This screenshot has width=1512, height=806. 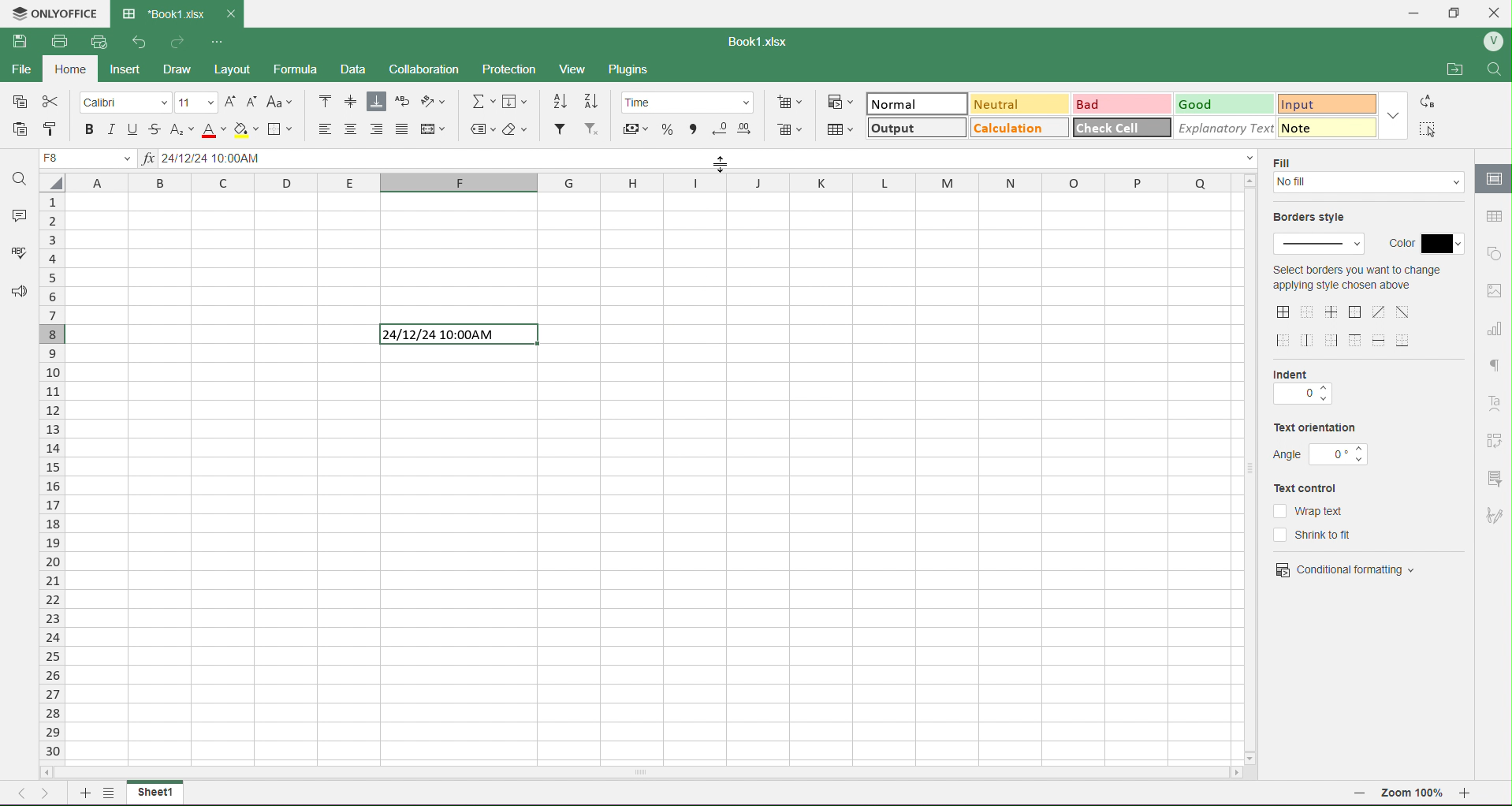 What do you see at coordinates (76, 72) in the screenshot?
I see `Home` at bounding box center [76, 72].